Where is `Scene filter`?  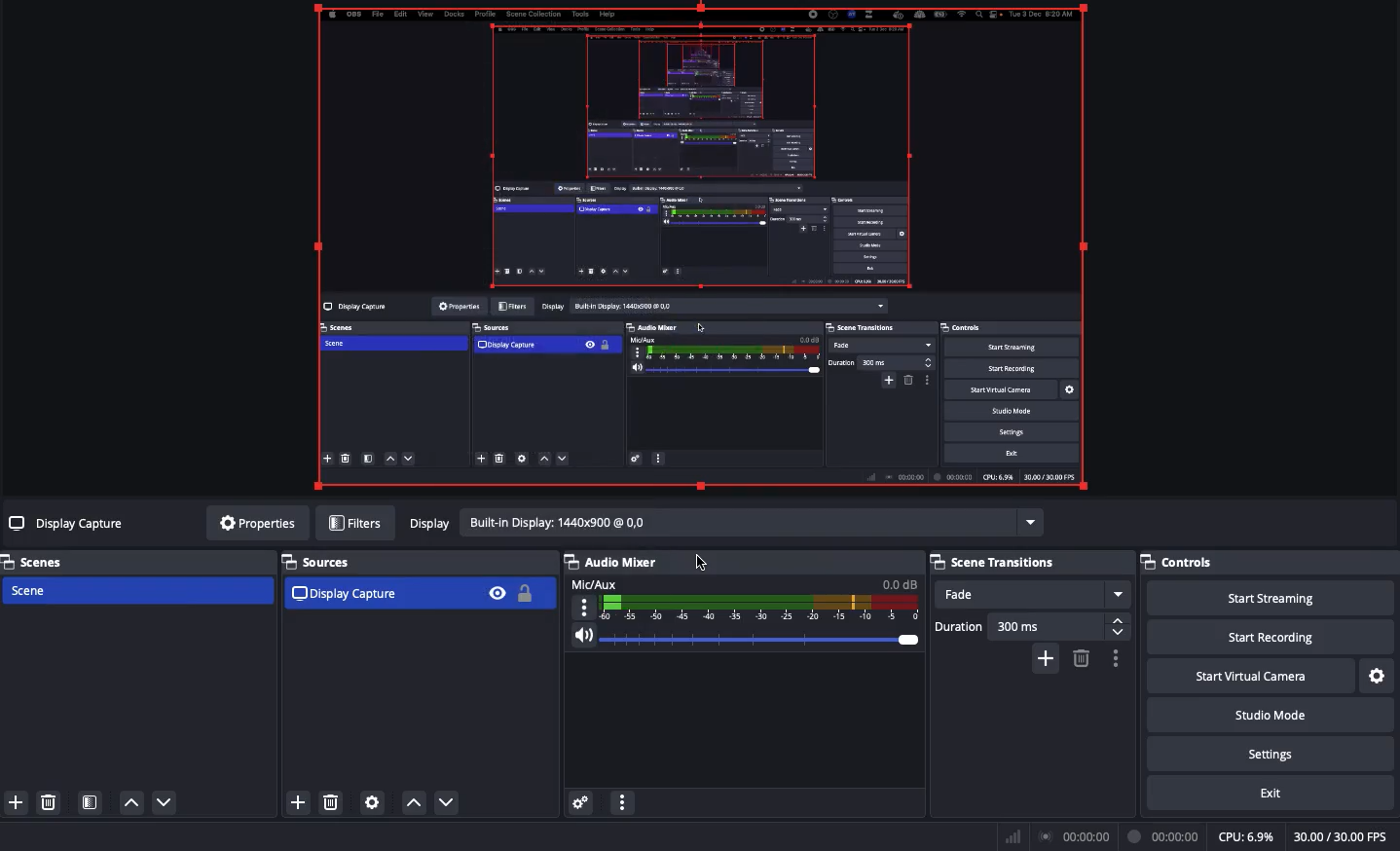
Scene filter is located at coordinates (91, 801).